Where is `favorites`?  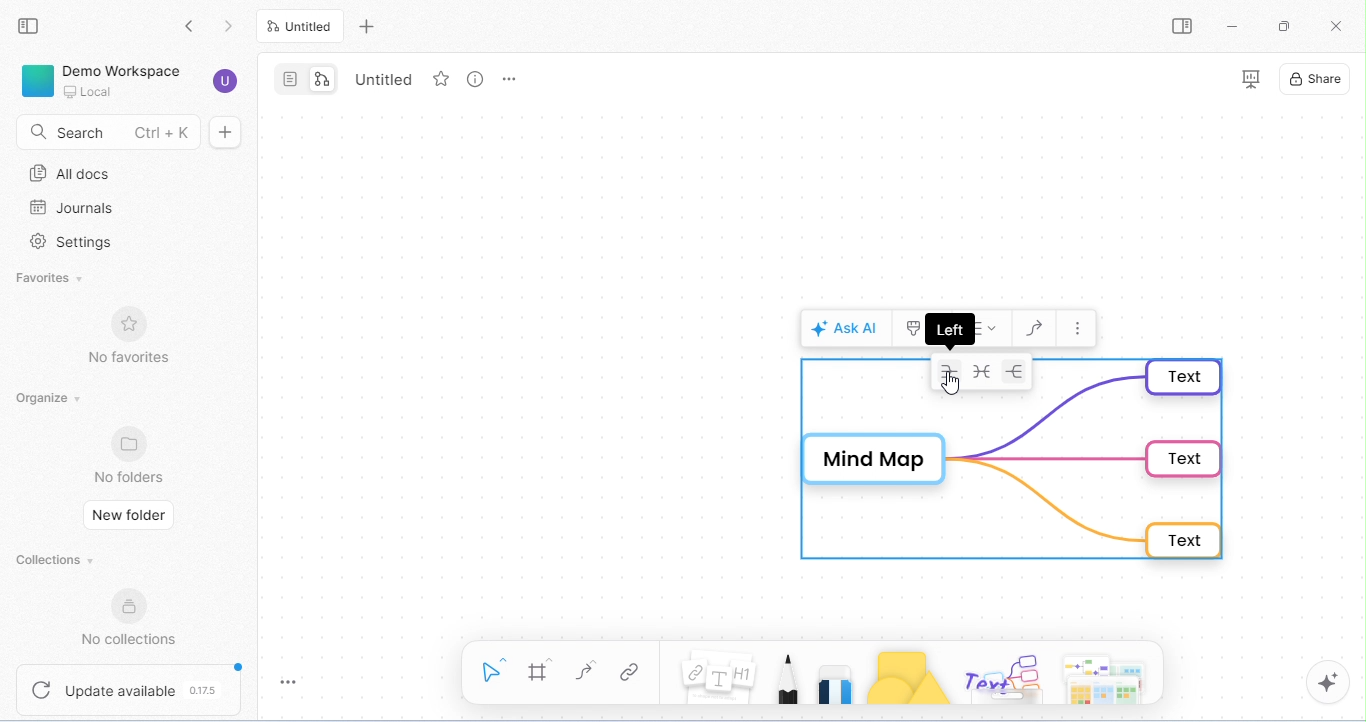 favorites is located at coordinates (56, 278).